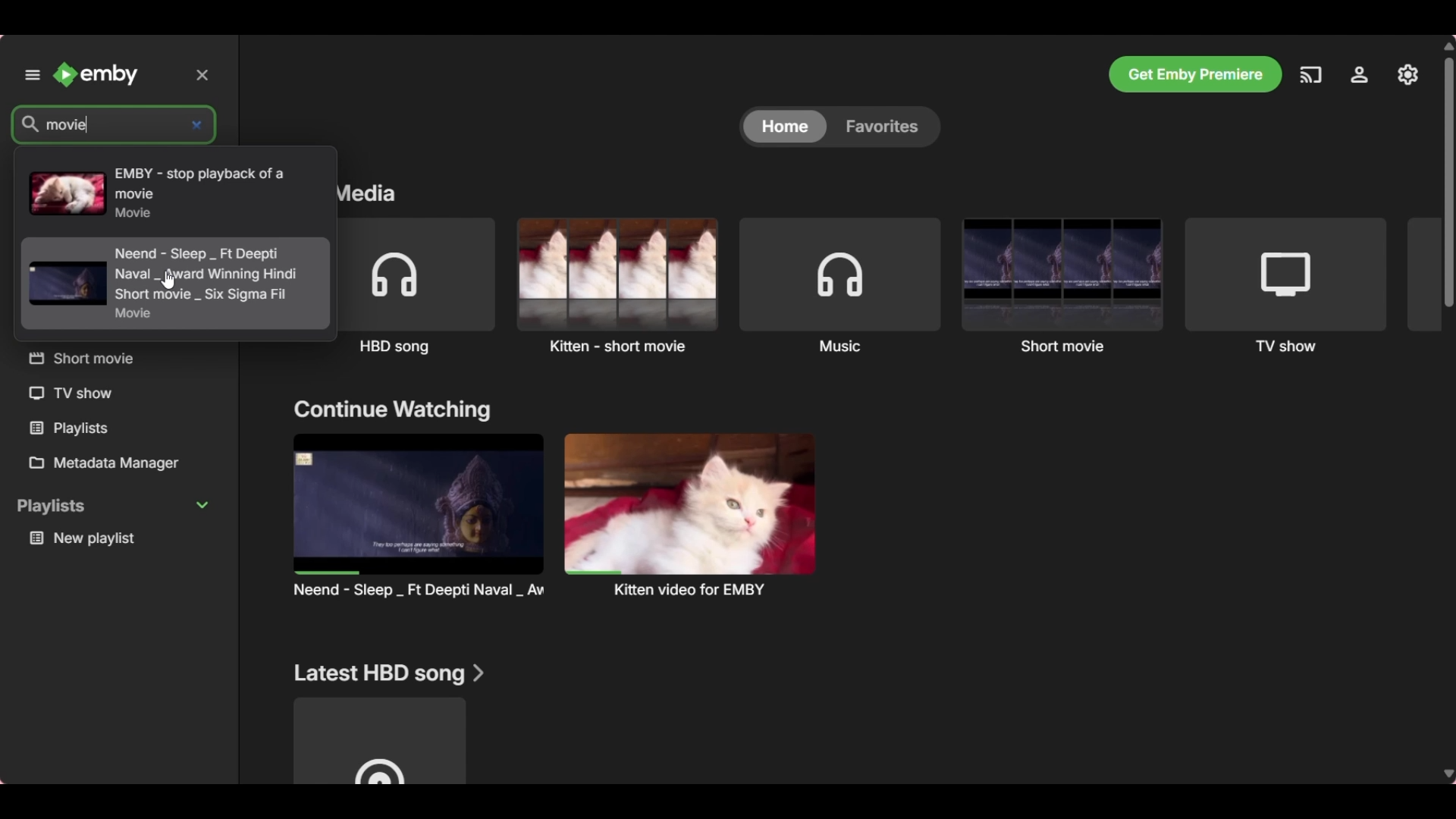 Image resolution: width=1456 pixels, height=819 pixels. I want to click on Media file under above mentioned section, so click(379, 741).